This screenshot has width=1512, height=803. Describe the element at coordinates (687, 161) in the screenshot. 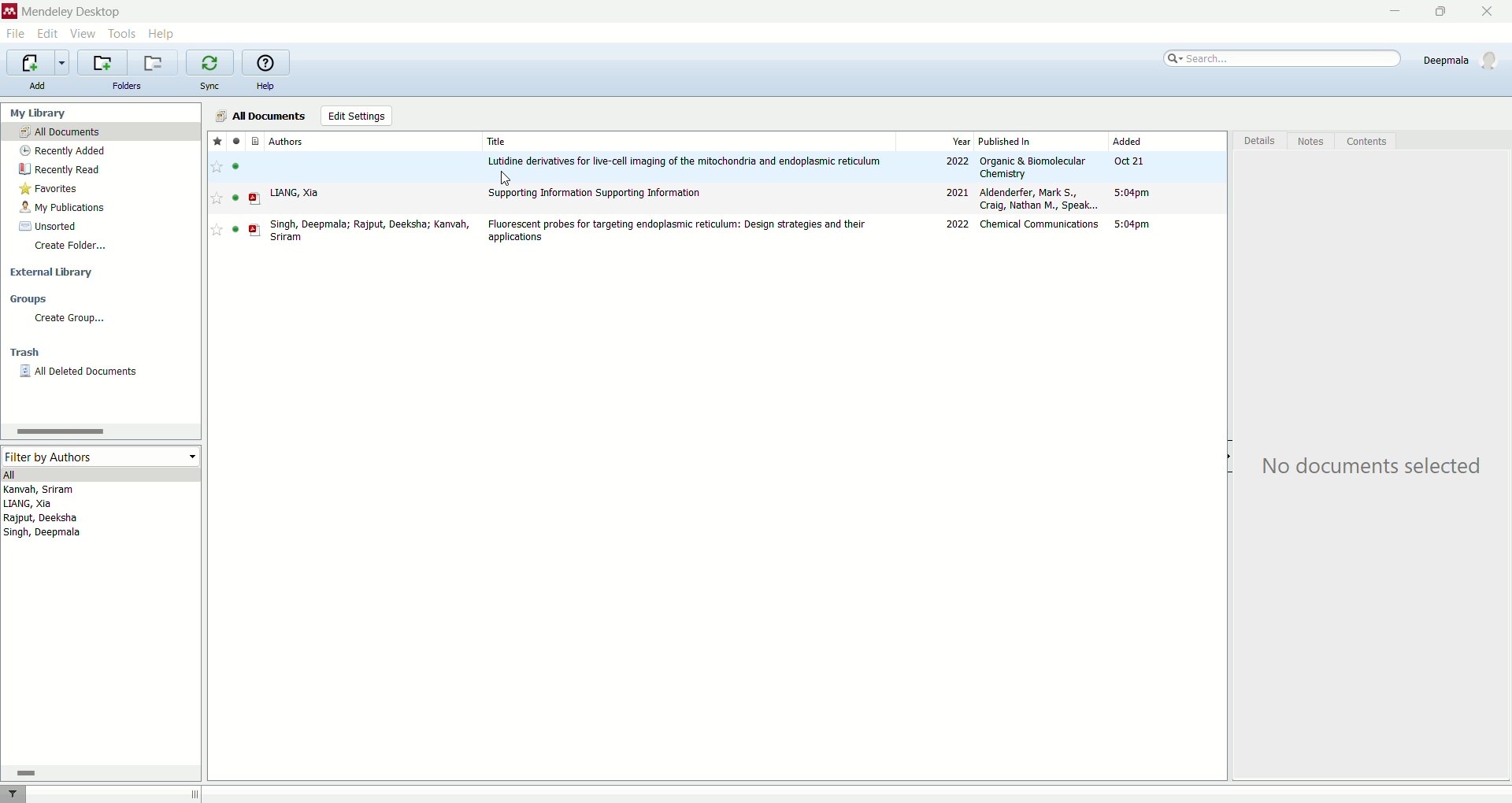

I see `Lutidine derivatives for live-cell imaging of the mitochondria and edoplasmic reticulum` at that location.